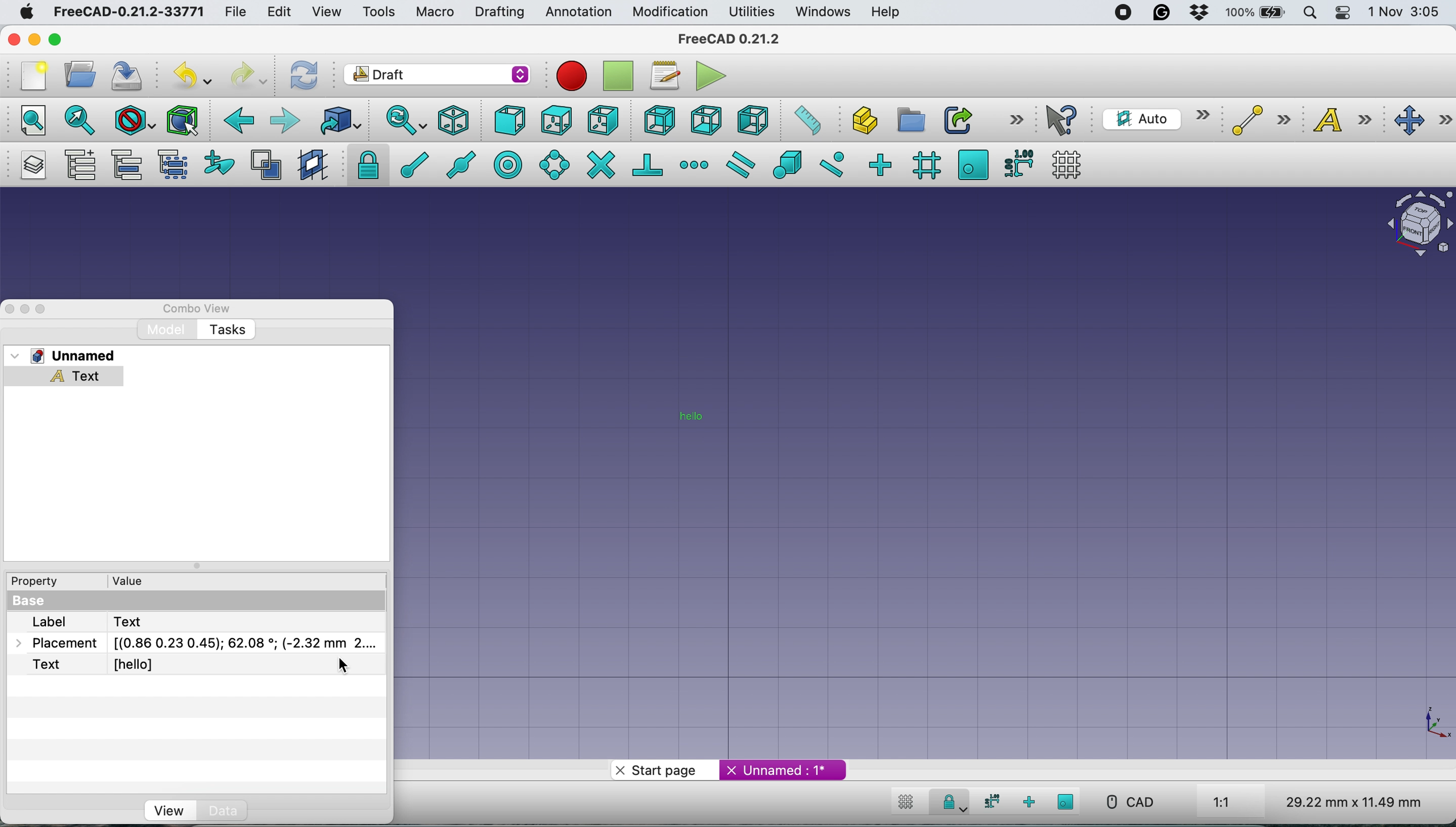 This screenshot has width=1456, height=827. What do you see at coordinates (788, 165) in the screenshot?
I see `snap special` at bounding box center [788, 165].